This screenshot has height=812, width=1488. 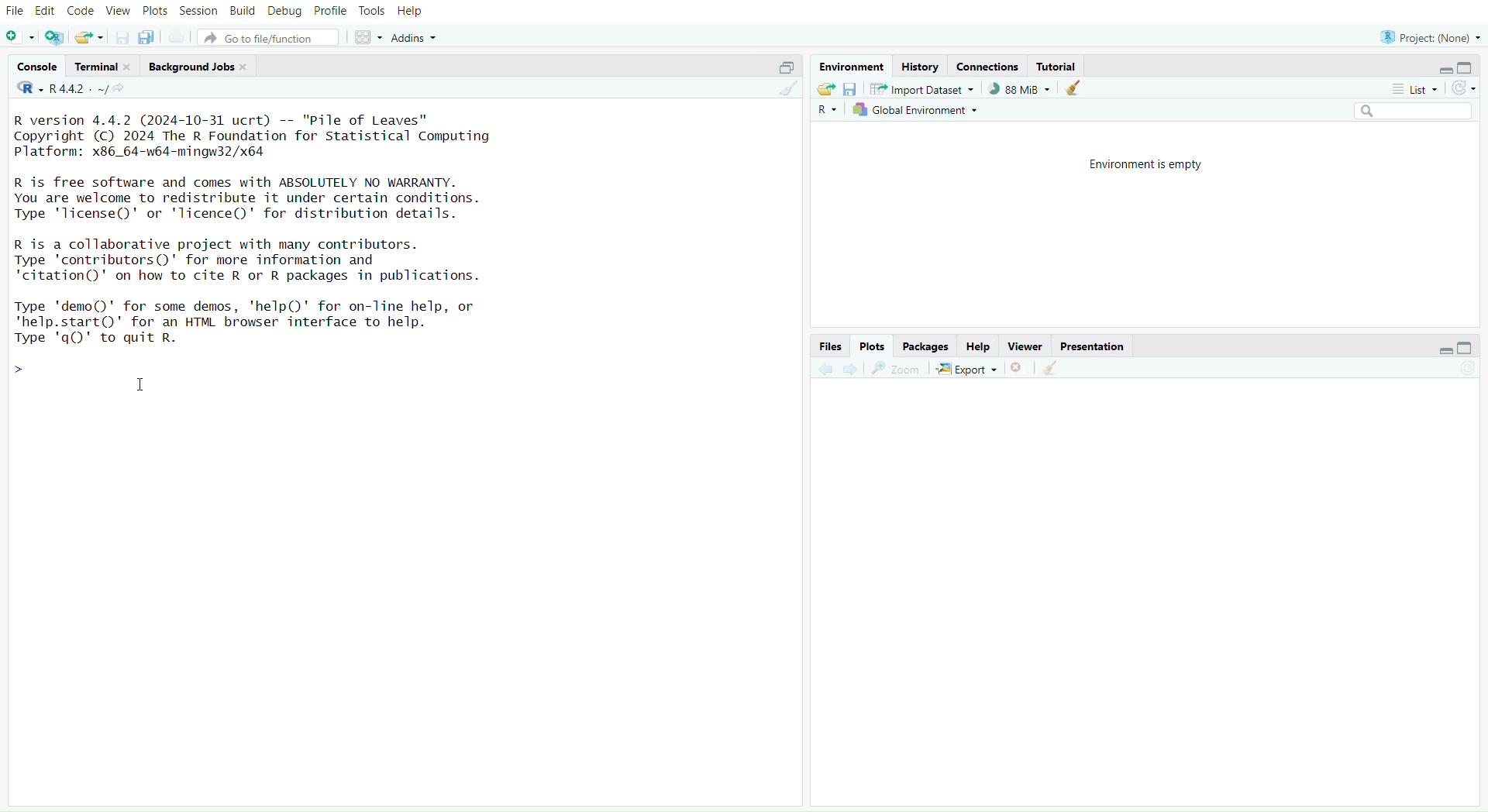 What do you see at coordinates (1018, 369) in the screenshot?
I see `remove current plot` at bounding box center [1018, 369].